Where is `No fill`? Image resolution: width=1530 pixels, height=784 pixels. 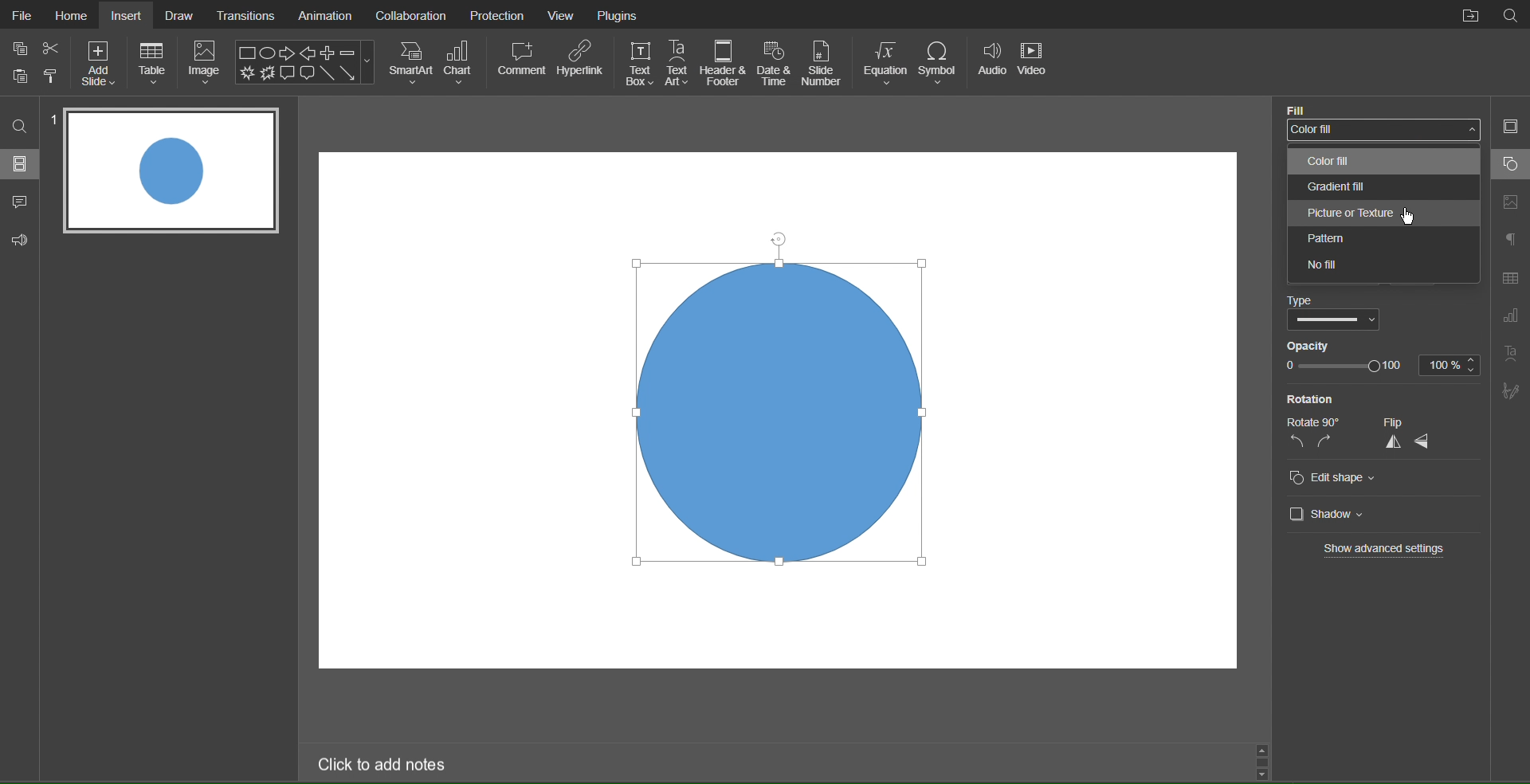
No fill is located at coordinates (1384, 269).